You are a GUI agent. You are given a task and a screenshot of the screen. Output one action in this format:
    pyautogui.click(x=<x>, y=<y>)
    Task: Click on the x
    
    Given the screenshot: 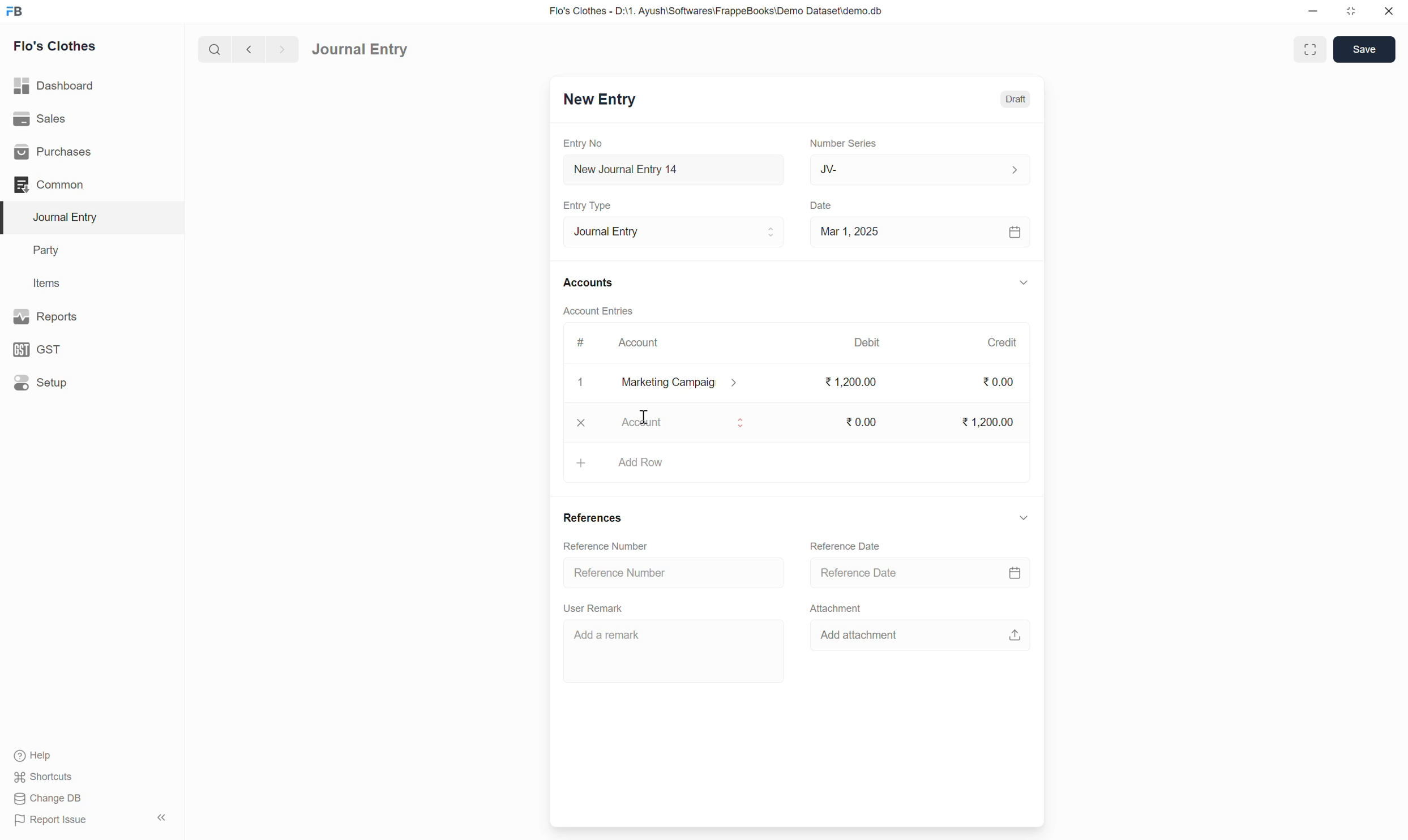 What is the action you would take?
    pyautogui.click(x=582, y=383)
    